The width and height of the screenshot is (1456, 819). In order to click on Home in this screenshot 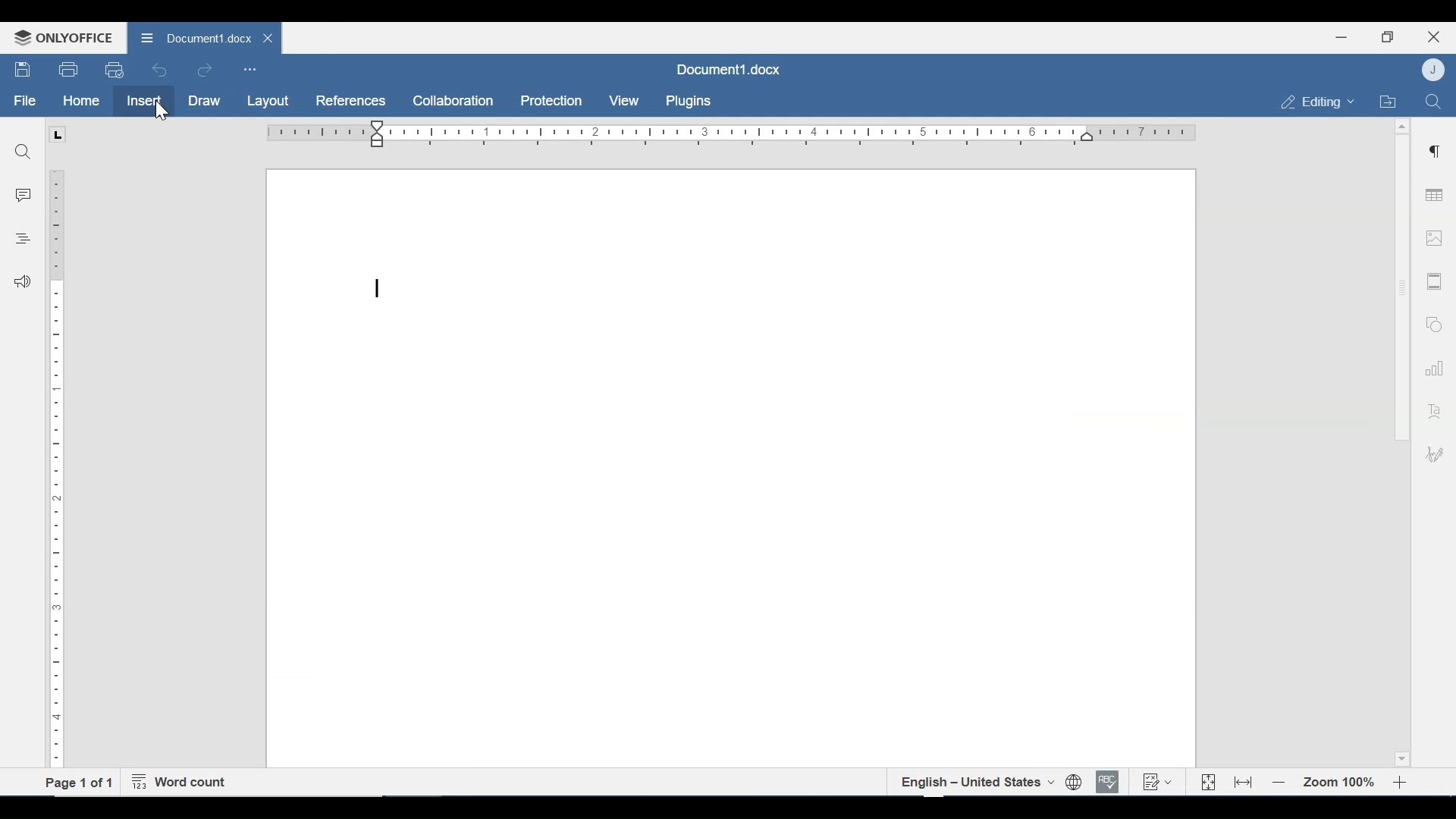, I will do `click(81, 101)`.